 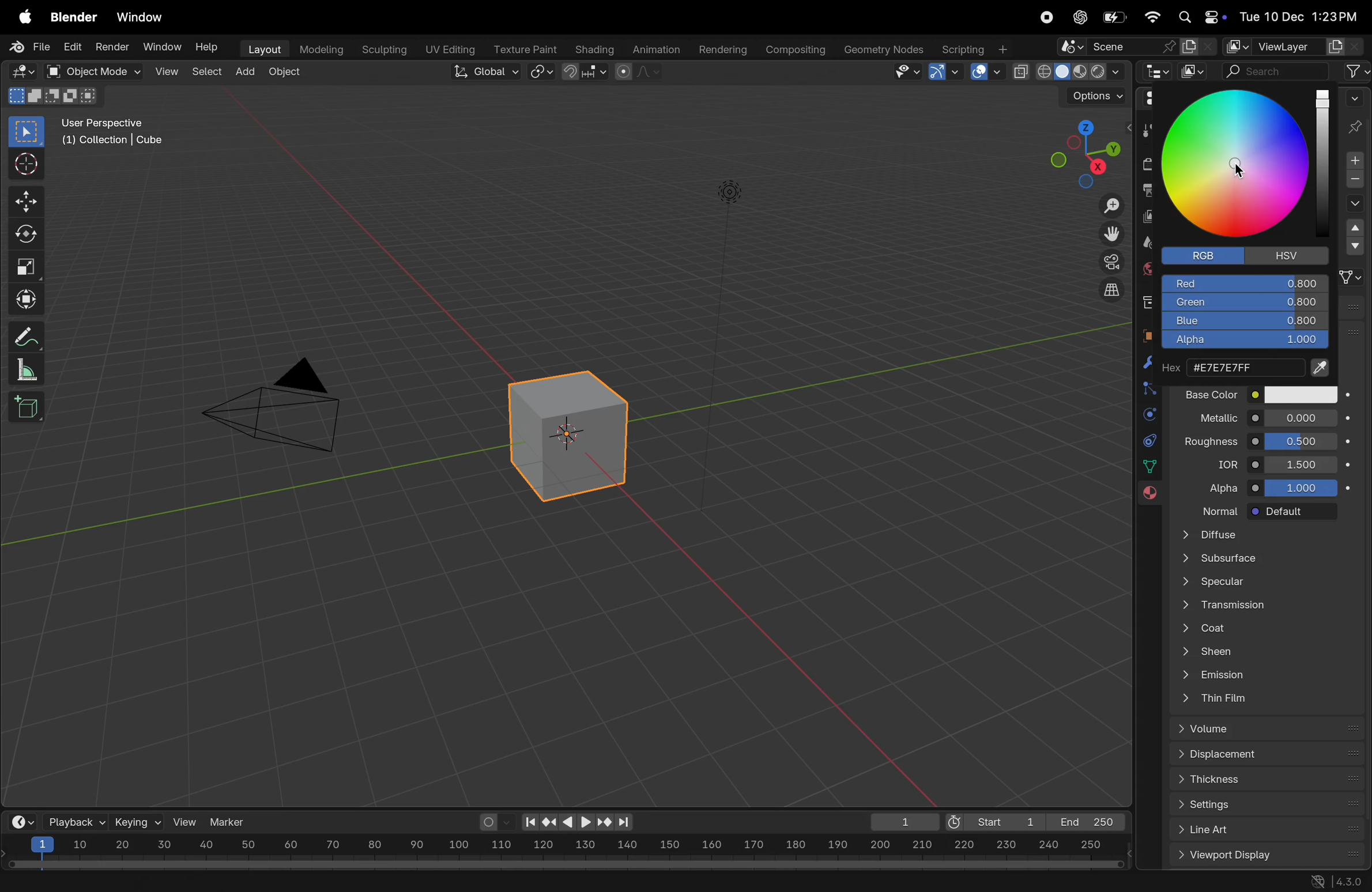 I want to click on viewport shading, so click(x=1068, y=69).